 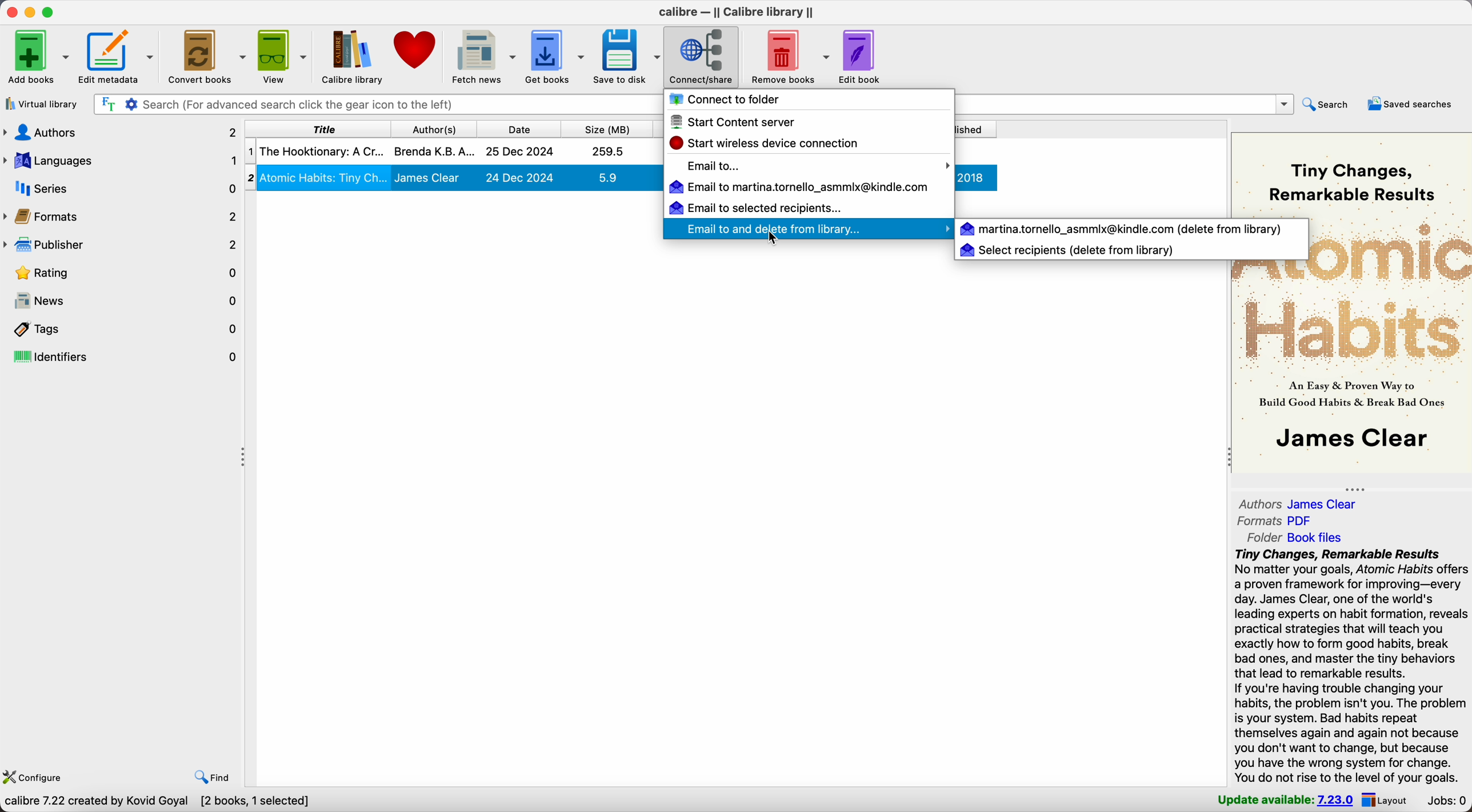 I want to click on donate, so click(x=415, y=49).